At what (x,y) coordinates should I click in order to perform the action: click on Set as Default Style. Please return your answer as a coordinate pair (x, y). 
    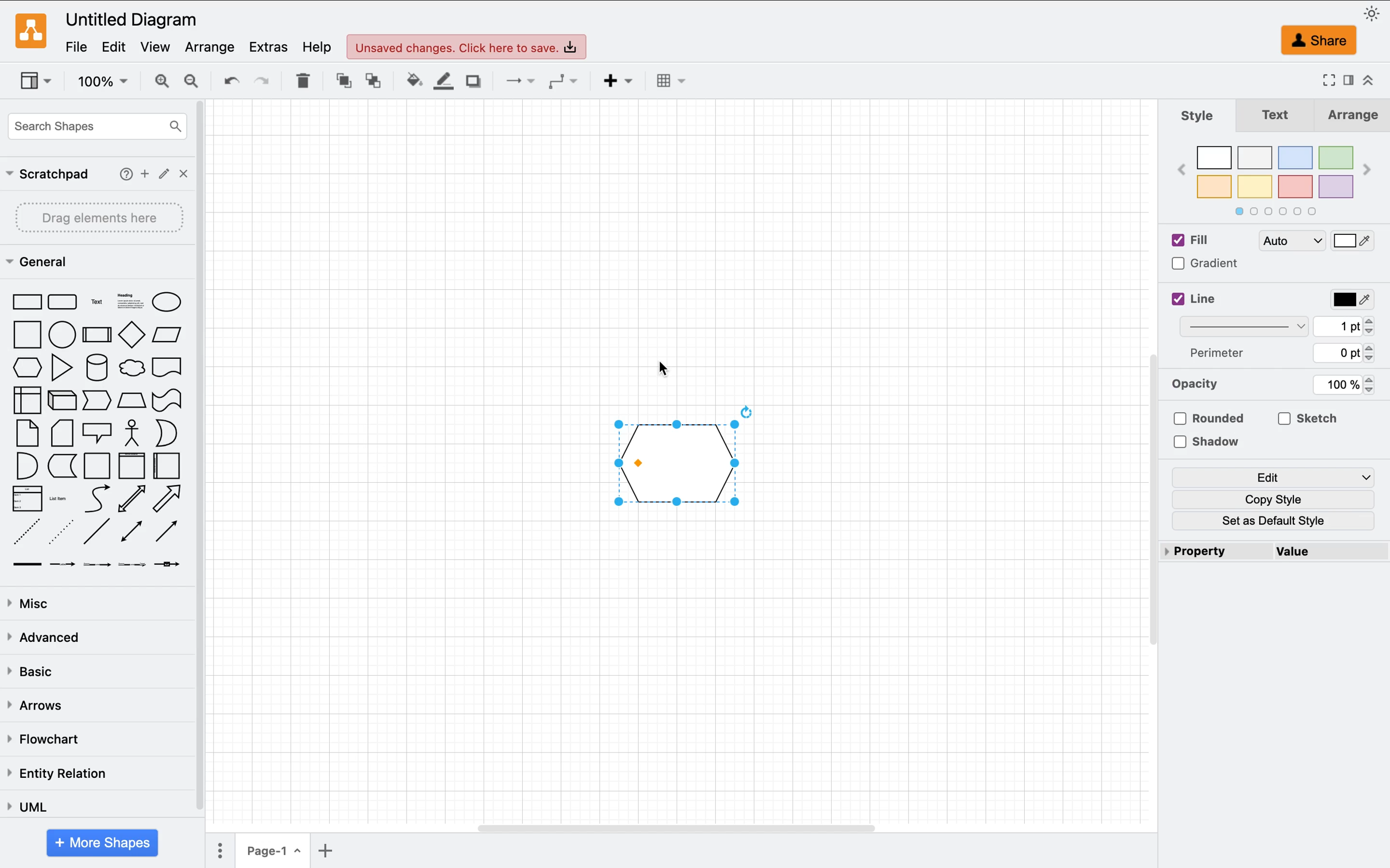
    Looking at the image, I should click on (1282, 522).